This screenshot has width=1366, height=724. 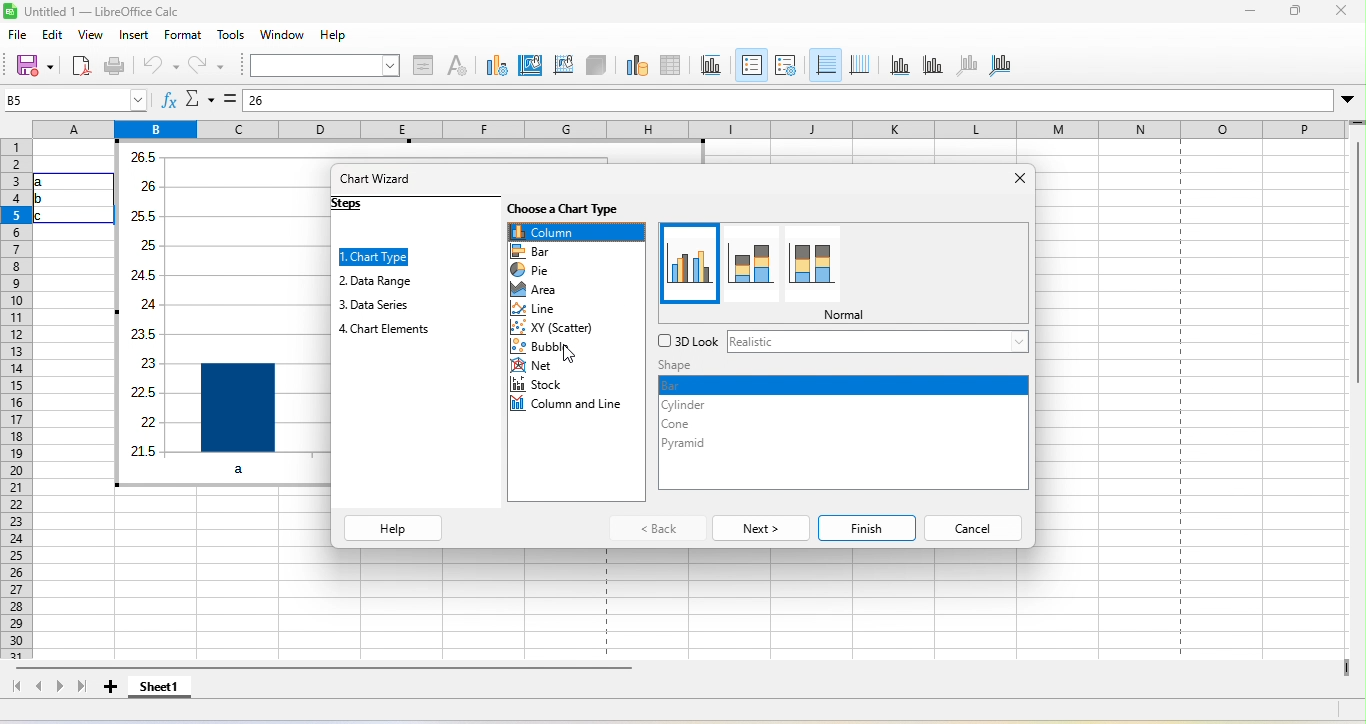 I want to click on horizontal scroll bar, so click(x=333, y=670).